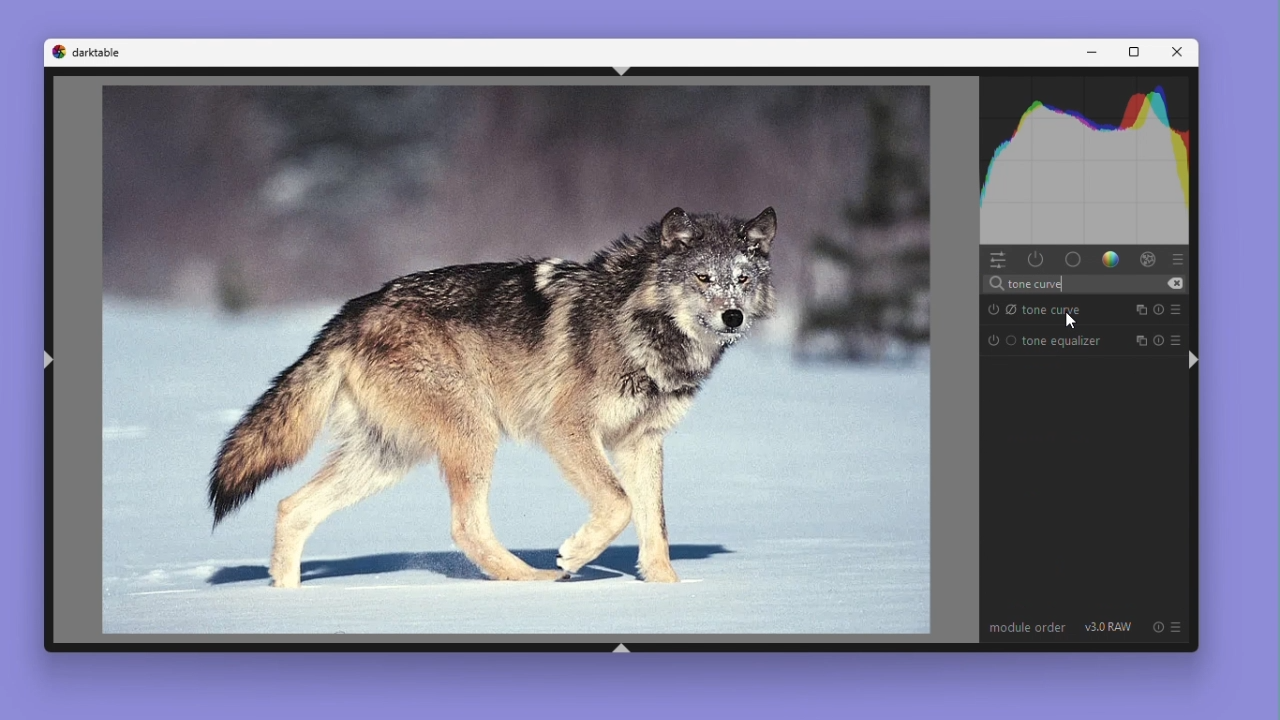  What do you see at coordinates (995, 284) in the screenshot?
I see `search` at bounding box center [995, 284].